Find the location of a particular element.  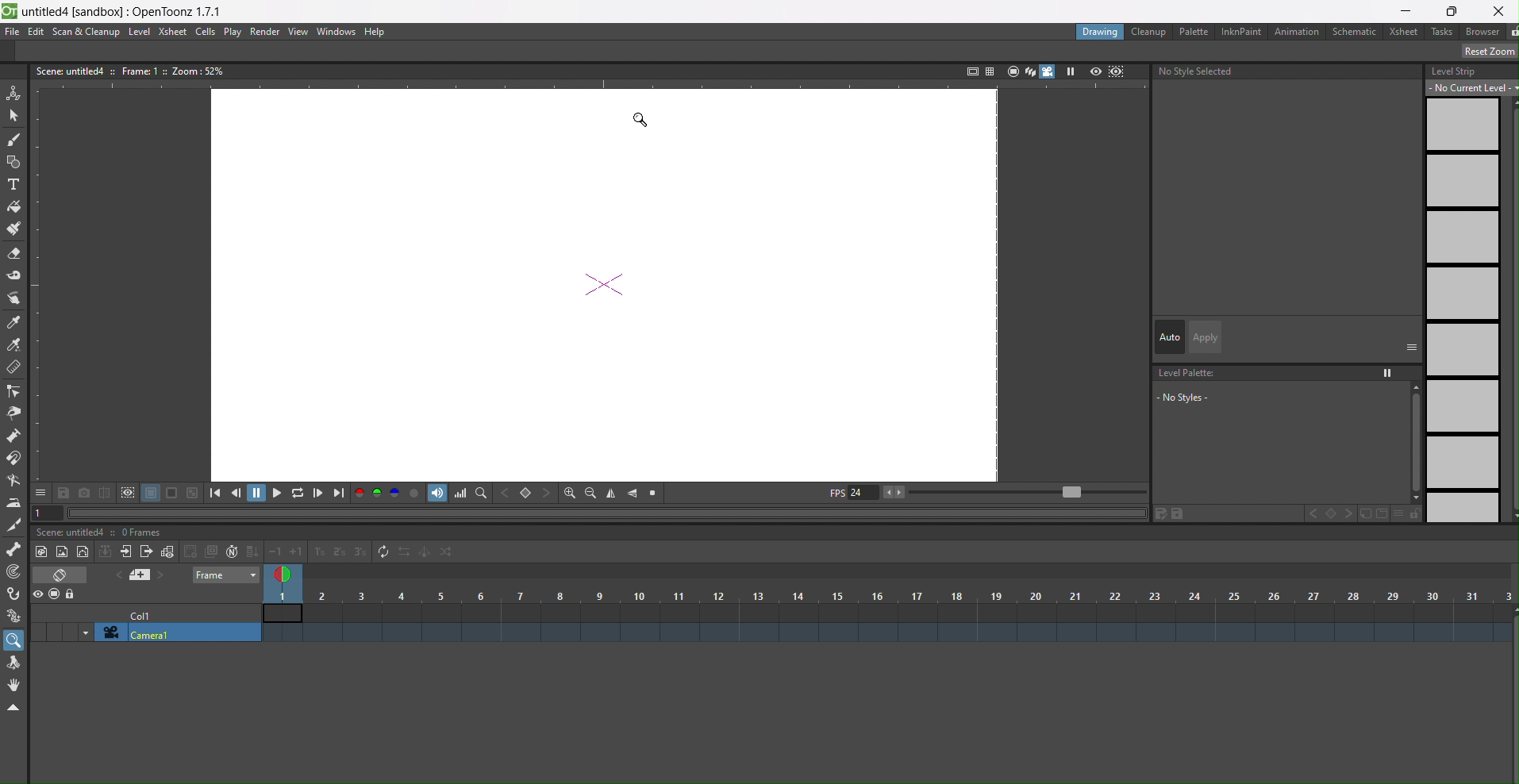

previous sub xsheet is located at coordinates (127, 552).